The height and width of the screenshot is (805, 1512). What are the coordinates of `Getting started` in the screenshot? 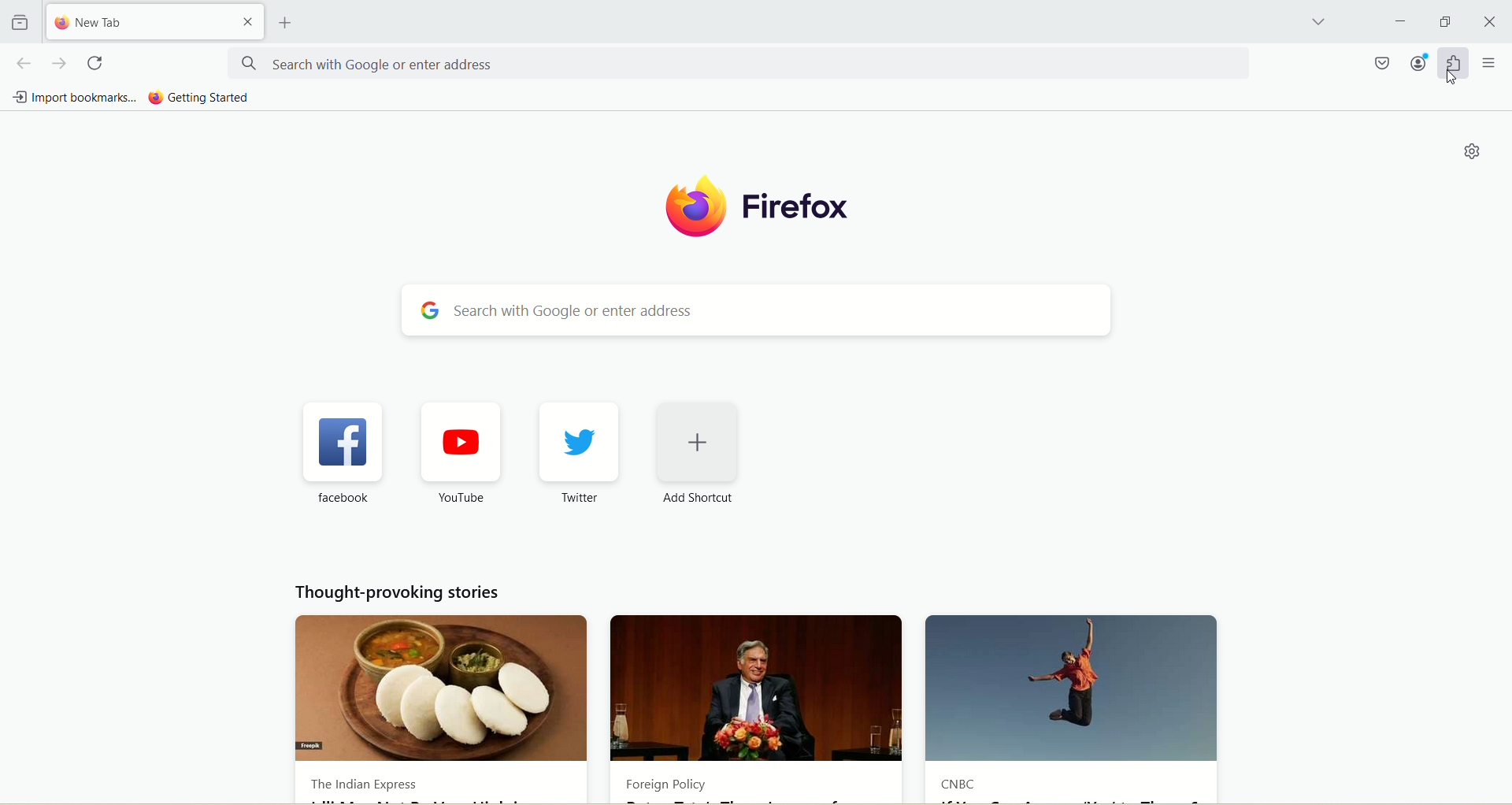 It's located at (199, 98).